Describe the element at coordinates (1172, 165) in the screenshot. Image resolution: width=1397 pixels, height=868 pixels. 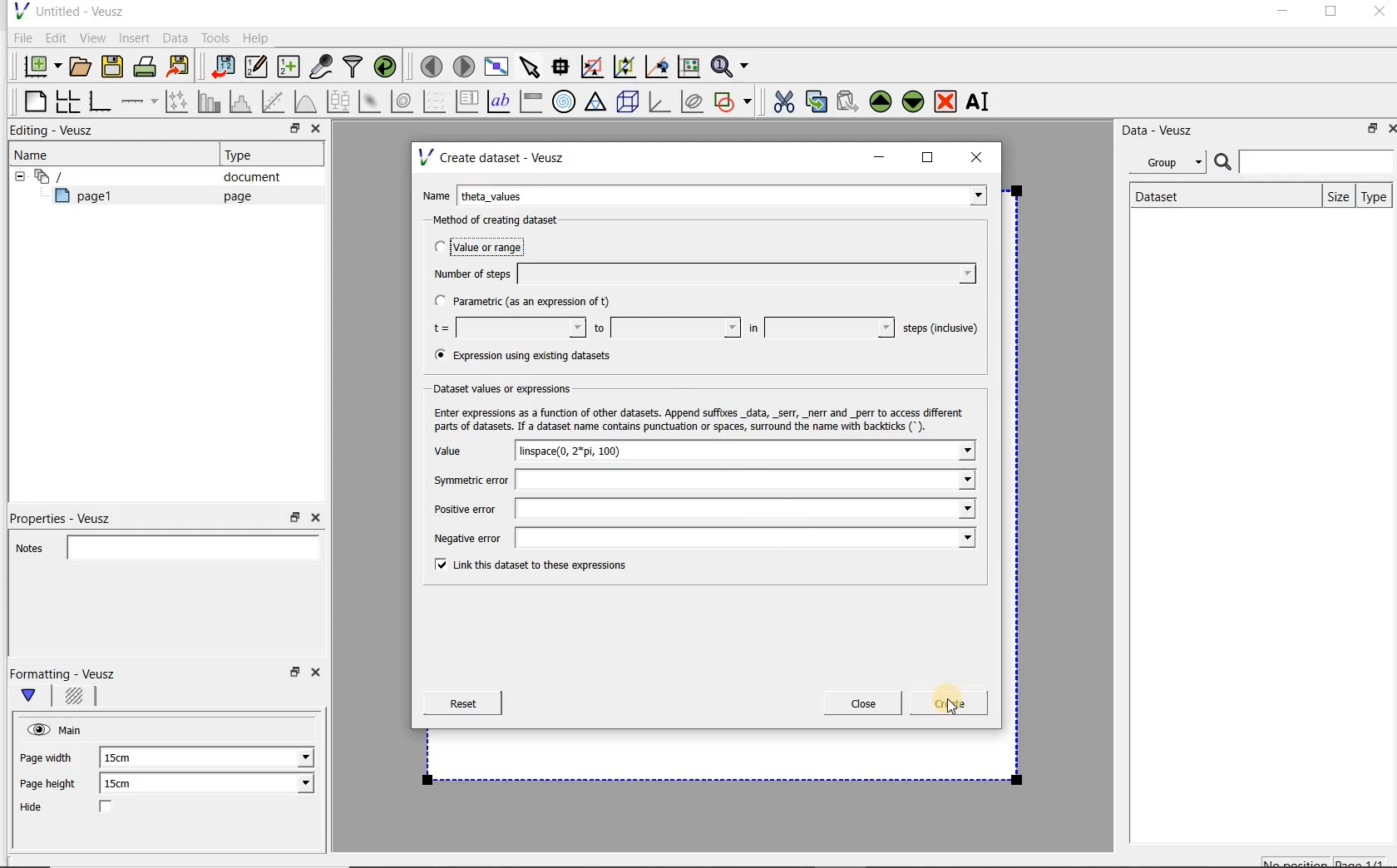
I see `Group` at that location.